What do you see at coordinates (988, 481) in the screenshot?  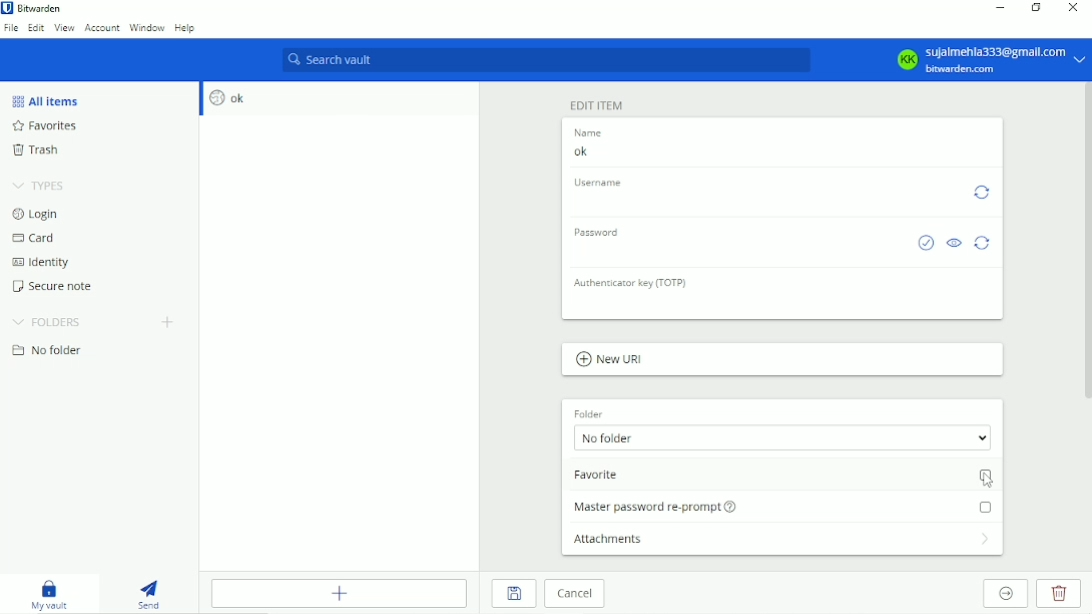 I see `Cursor` at bounding box center [988, 481].